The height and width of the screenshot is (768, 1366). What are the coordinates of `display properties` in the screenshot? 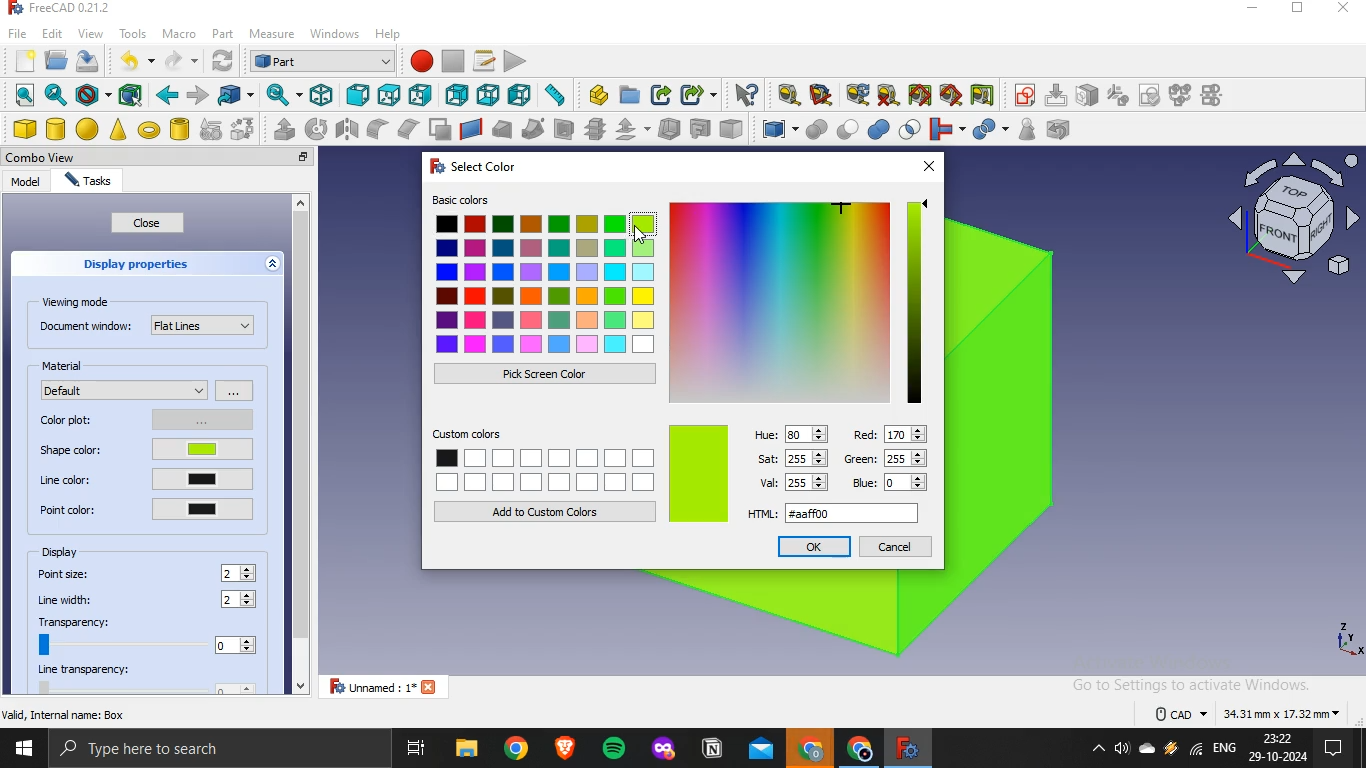 It's located at (137, 263).